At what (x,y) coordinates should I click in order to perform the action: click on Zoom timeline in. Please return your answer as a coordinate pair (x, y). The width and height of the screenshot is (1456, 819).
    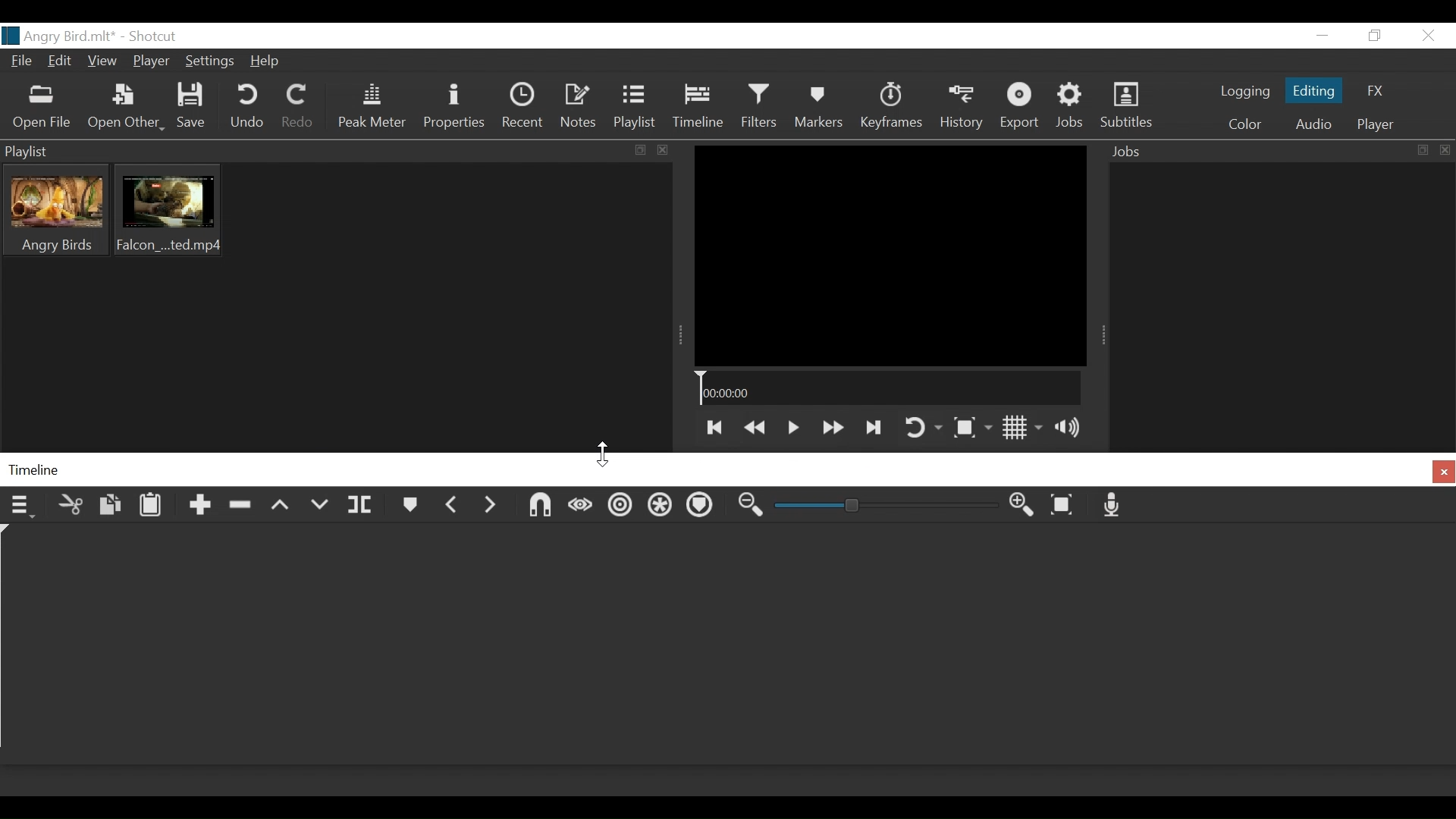
    Looking at the image, I should click on (752, 508).